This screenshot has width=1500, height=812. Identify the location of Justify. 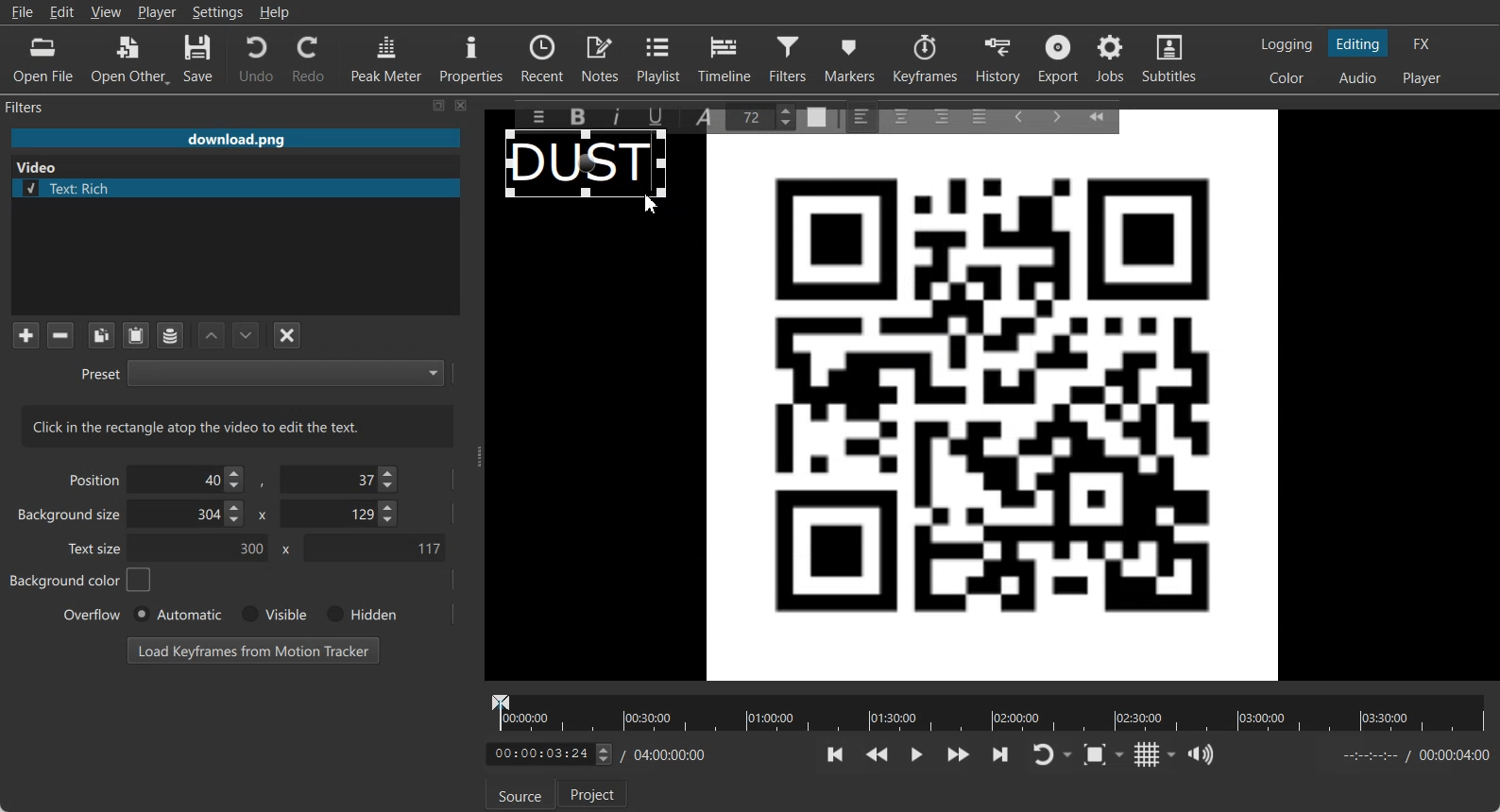
(980, 113).